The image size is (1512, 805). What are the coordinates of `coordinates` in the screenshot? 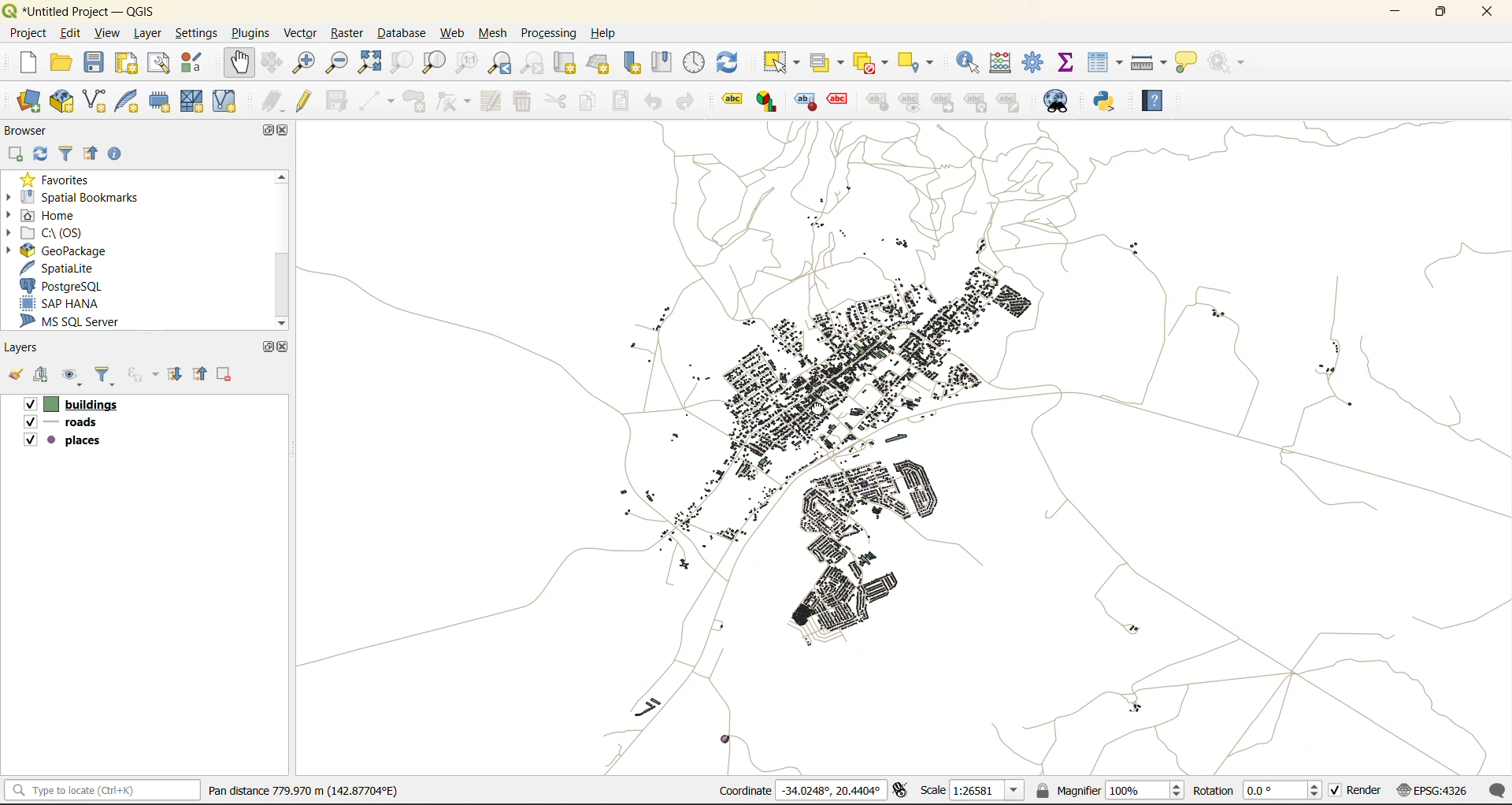 It's located at (799, 791).